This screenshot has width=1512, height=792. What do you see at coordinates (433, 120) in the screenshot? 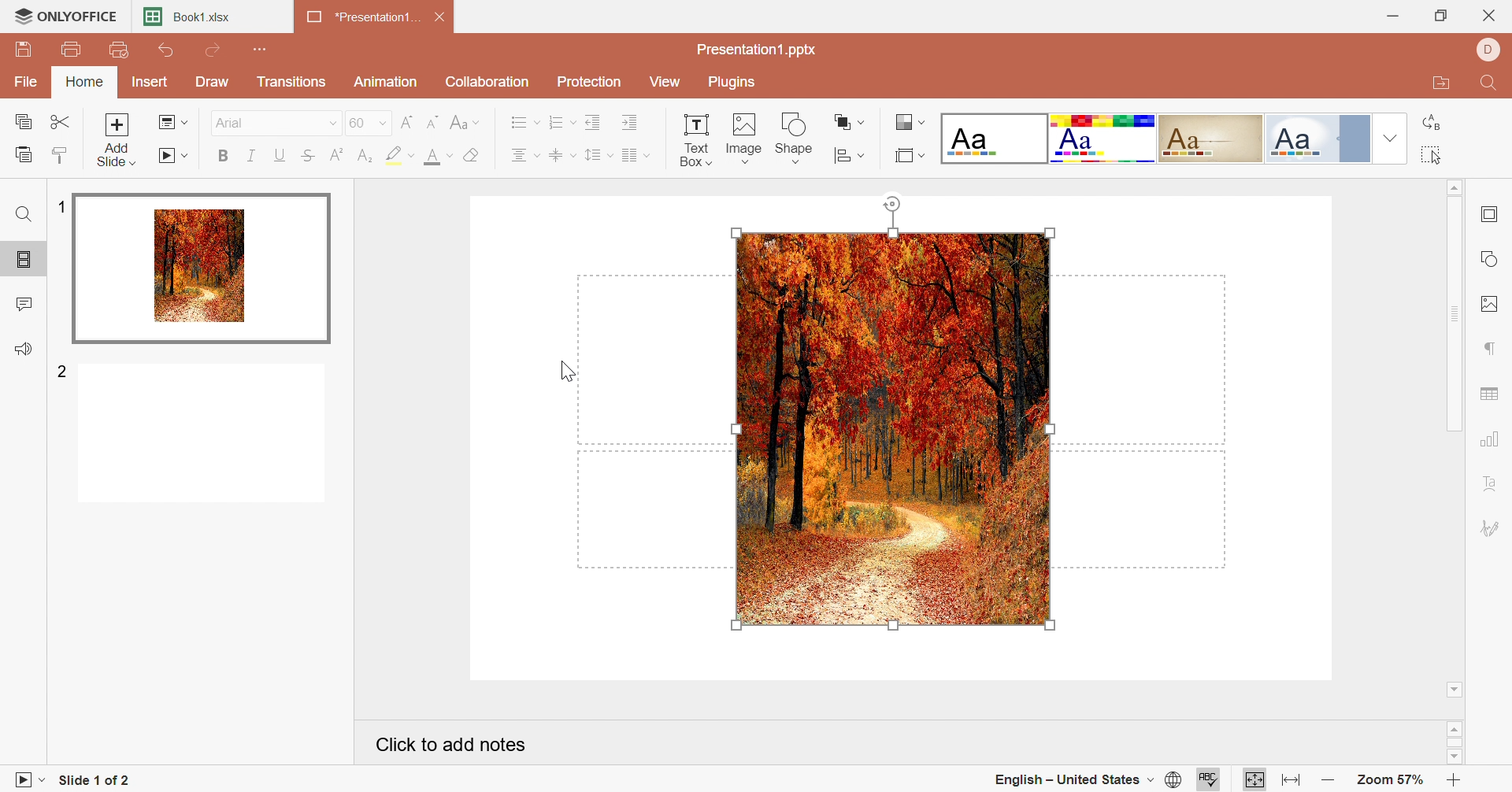
I see `Decrement font size` at bounding box center [433, 120].